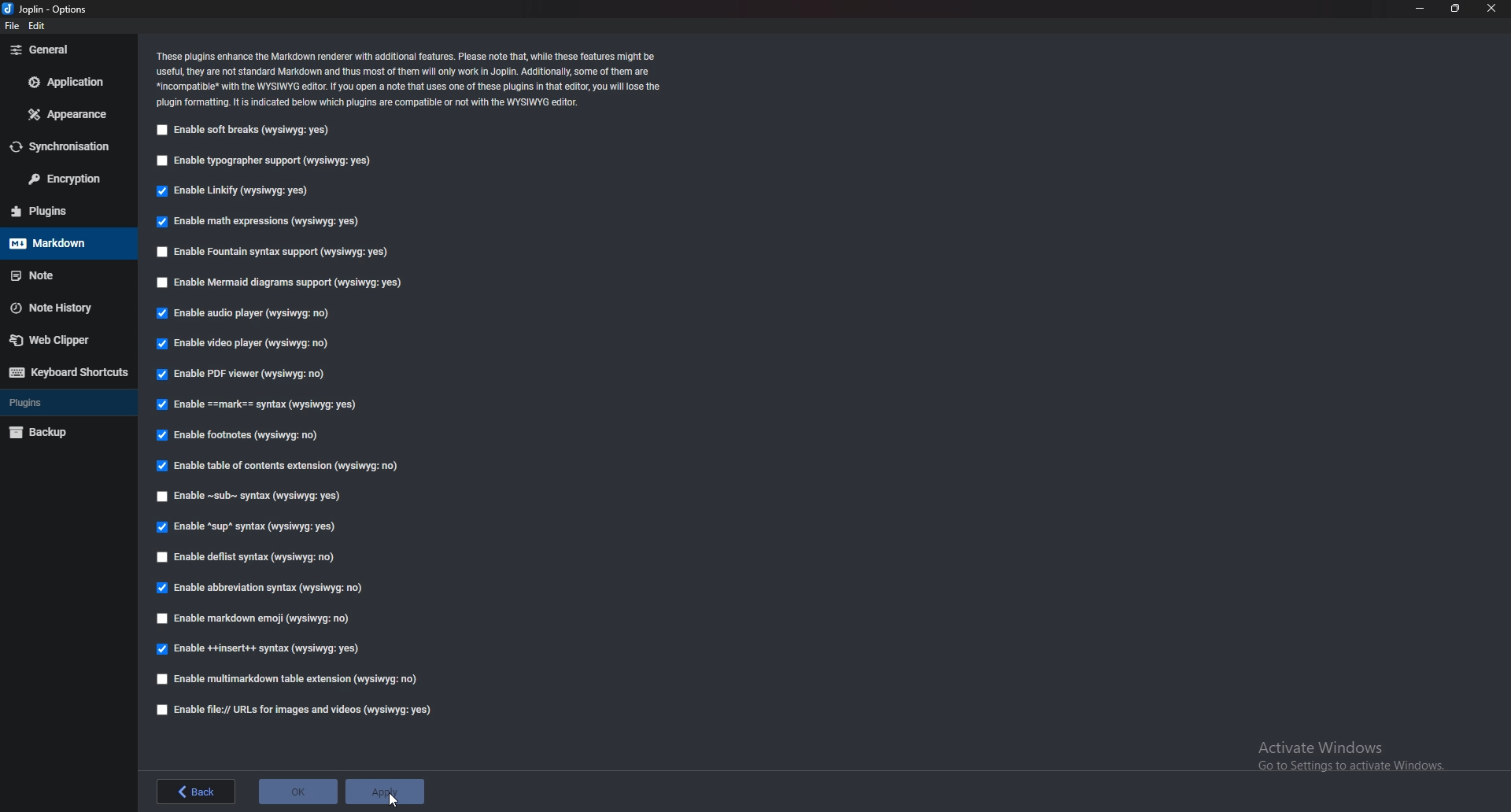  Describe the element at coordinates (65, 340) in the screenshot. I see `Webclipper` at that location.